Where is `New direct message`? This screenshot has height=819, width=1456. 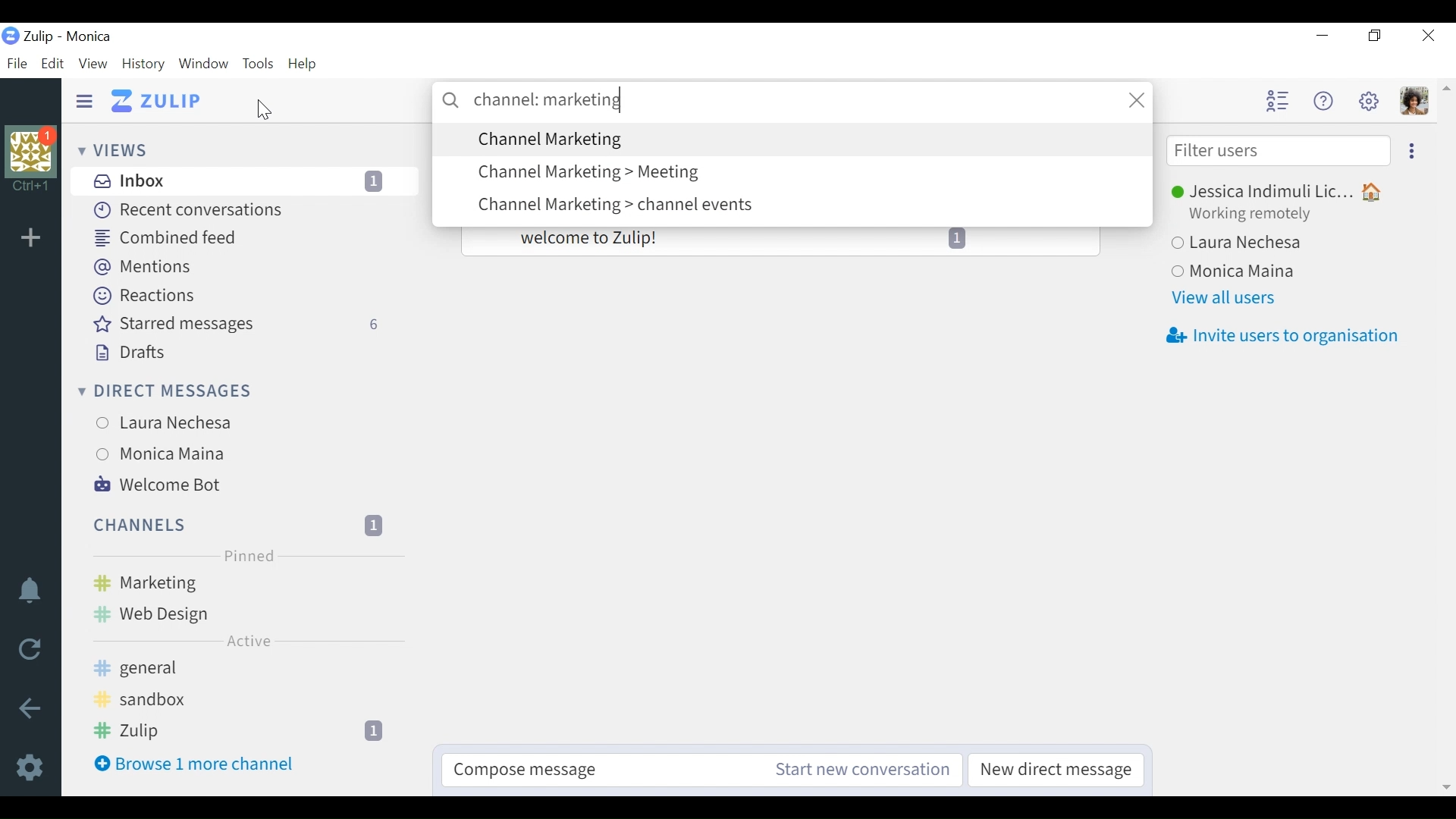
New direct message is located at coordinates (1054, 769).